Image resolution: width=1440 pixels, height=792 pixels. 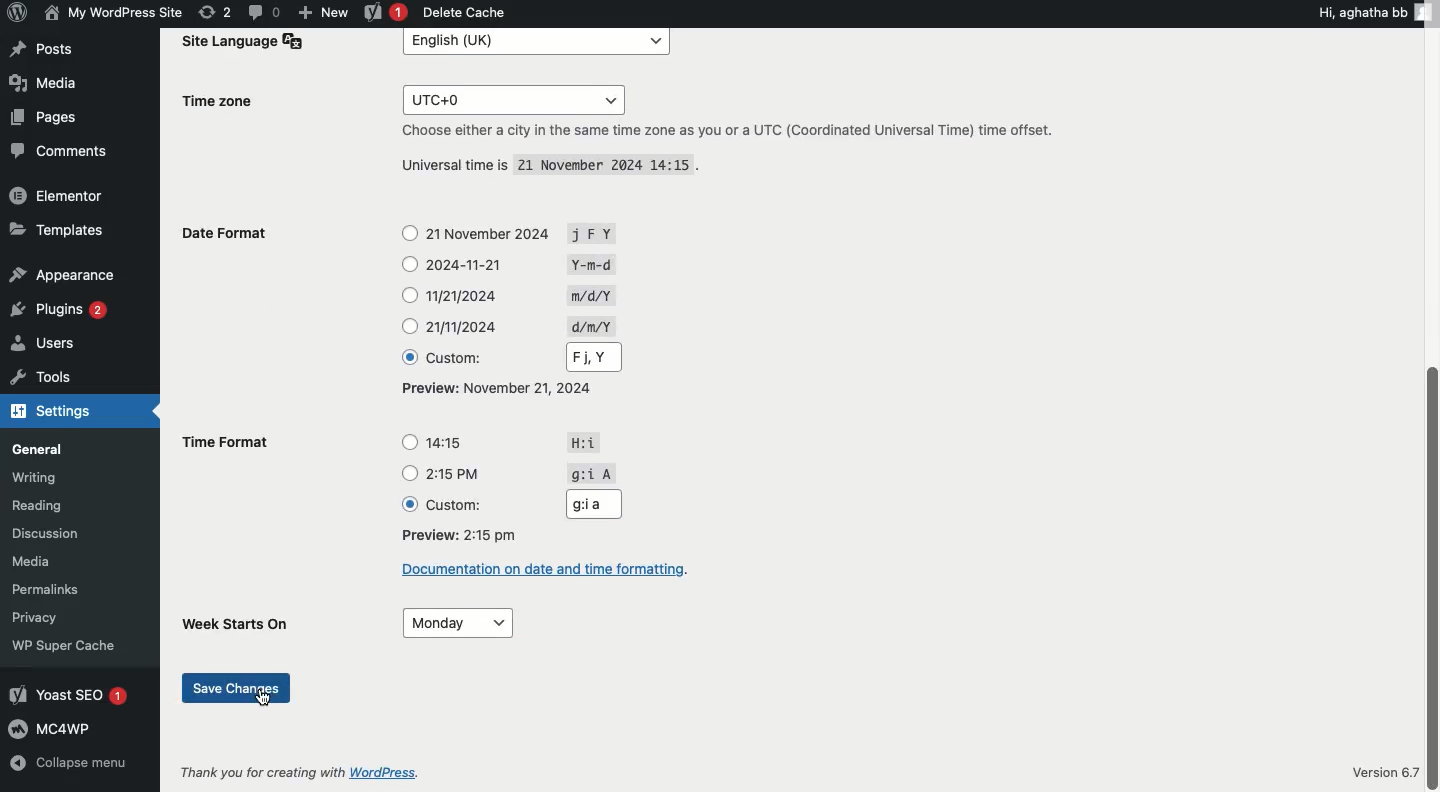 What do you see at coordinates (498, 441) in the screenshot?
I see `14:15 H:i` at bounding box center [498, 441].